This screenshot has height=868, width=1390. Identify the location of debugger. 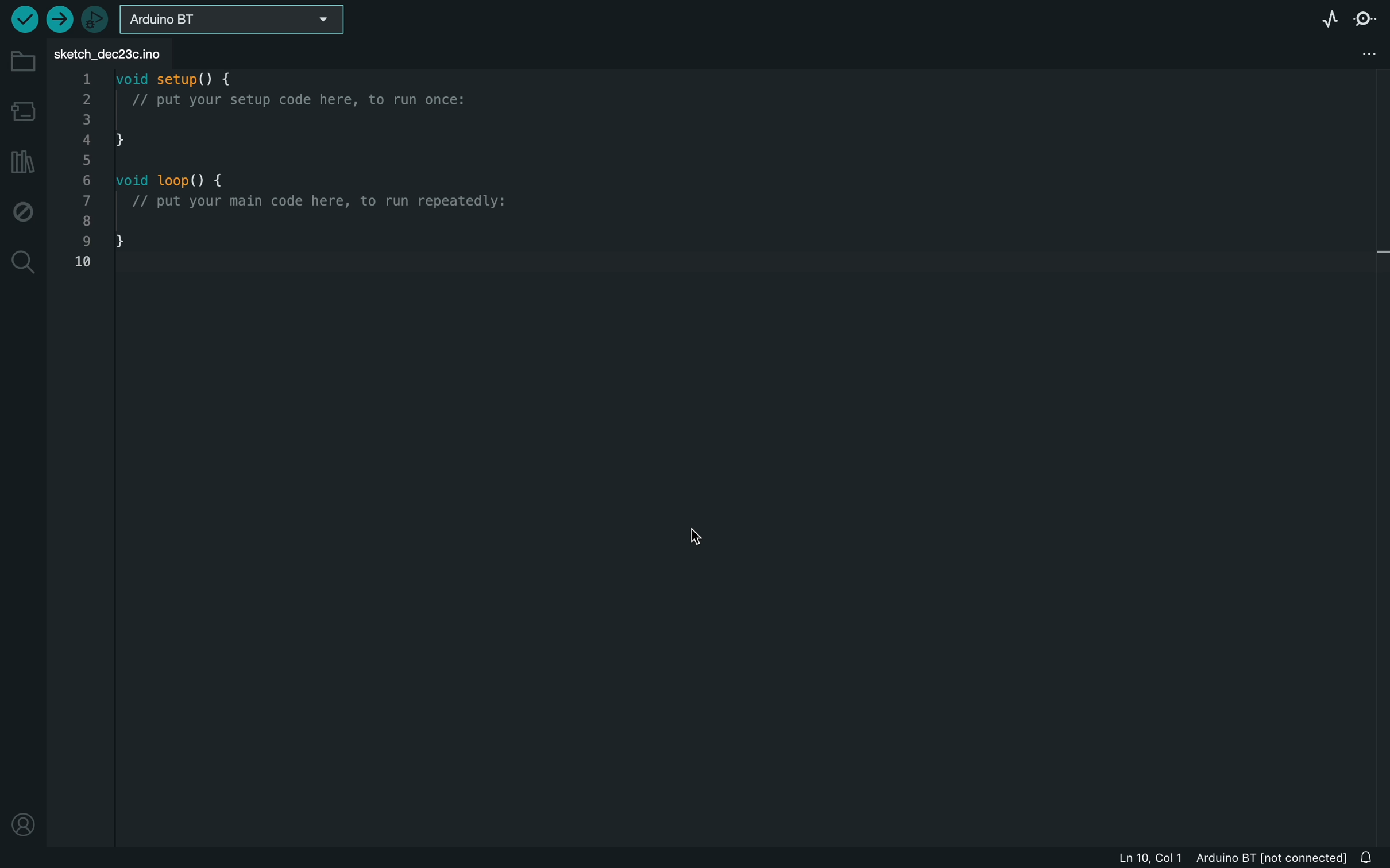
(96, 20).